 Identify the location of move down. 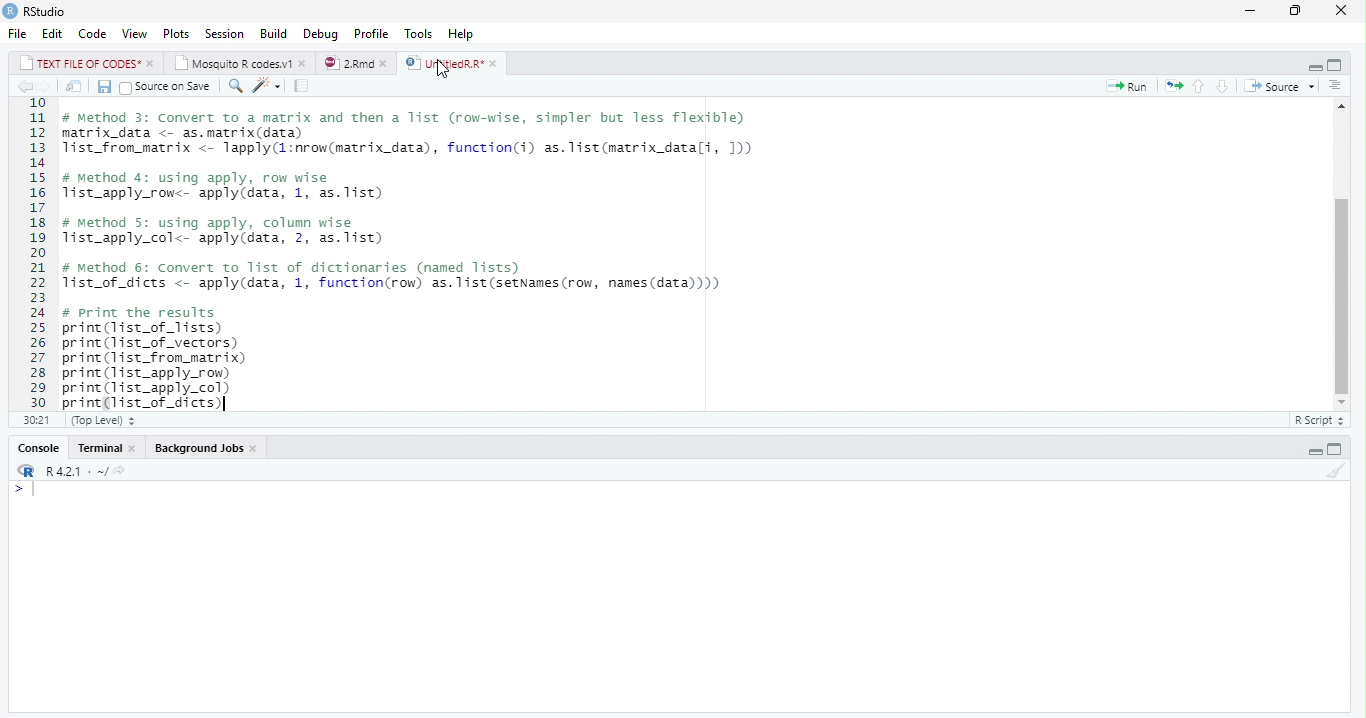
(1342, 399).